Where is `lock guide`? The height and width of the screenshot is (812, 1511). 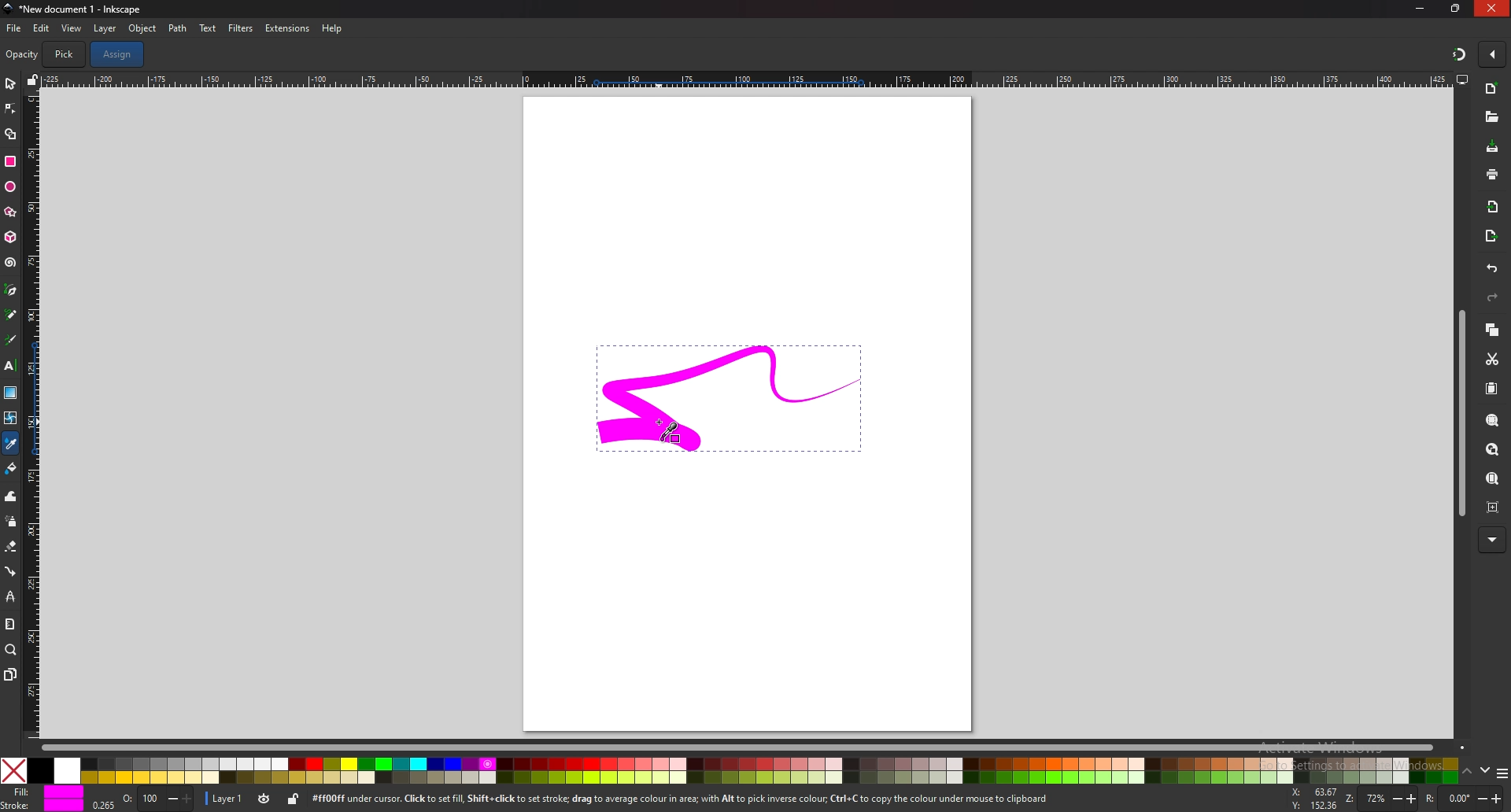 lock guide is located at coordinates (32, 79).